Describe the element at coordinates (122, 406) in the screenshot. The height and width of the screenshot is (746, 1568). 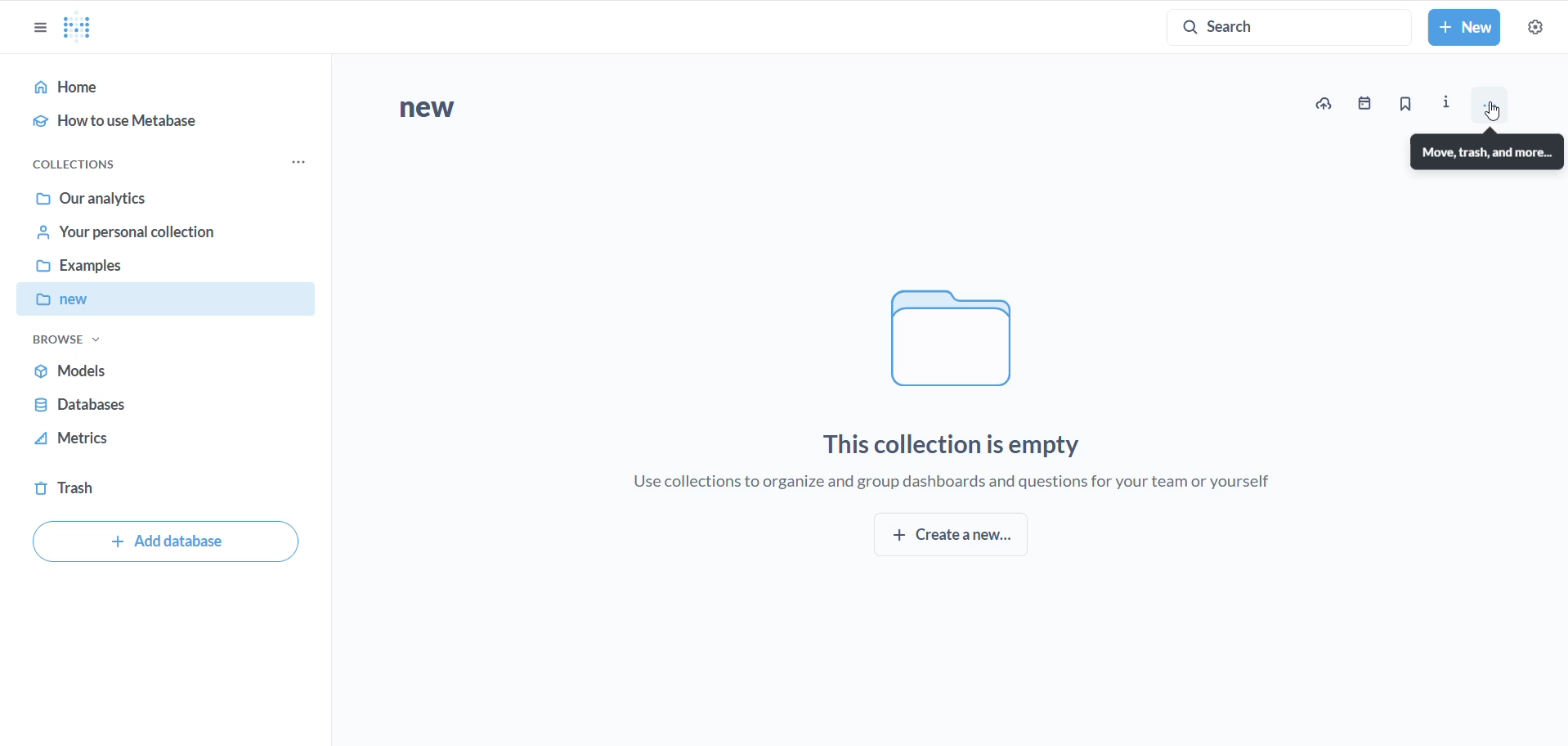
I see `databases` at that location.